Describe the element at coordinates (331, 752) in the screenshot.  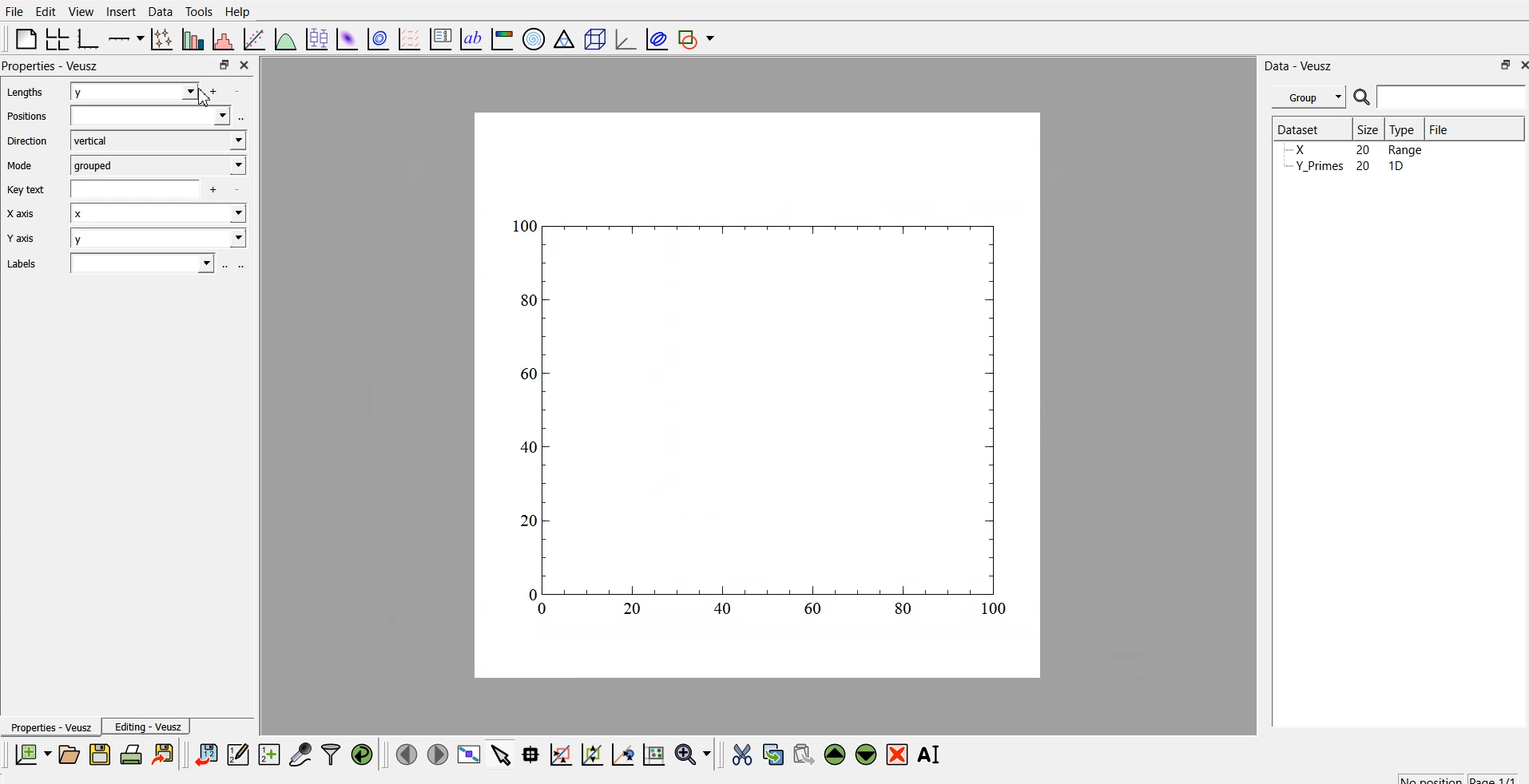
I see `filter data` at that location.